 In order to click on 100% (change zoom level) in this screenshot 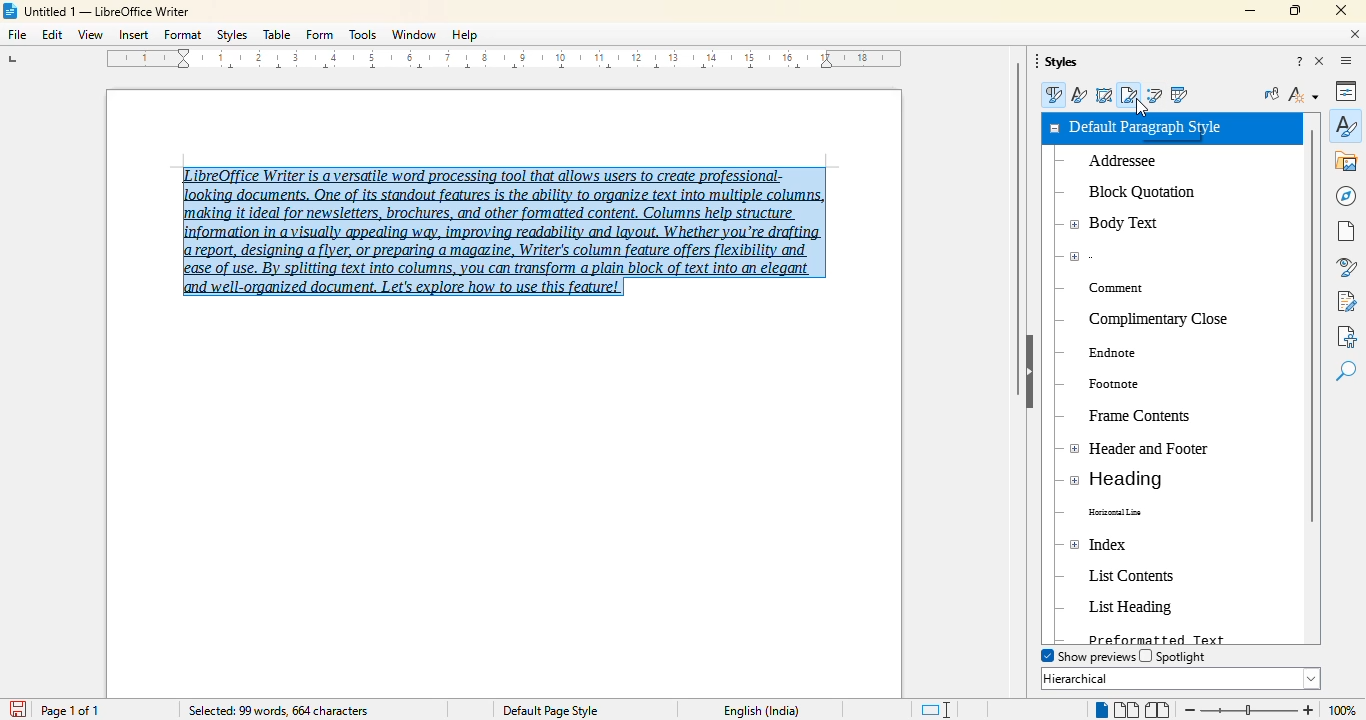, I will do `click(1345, 711)`.